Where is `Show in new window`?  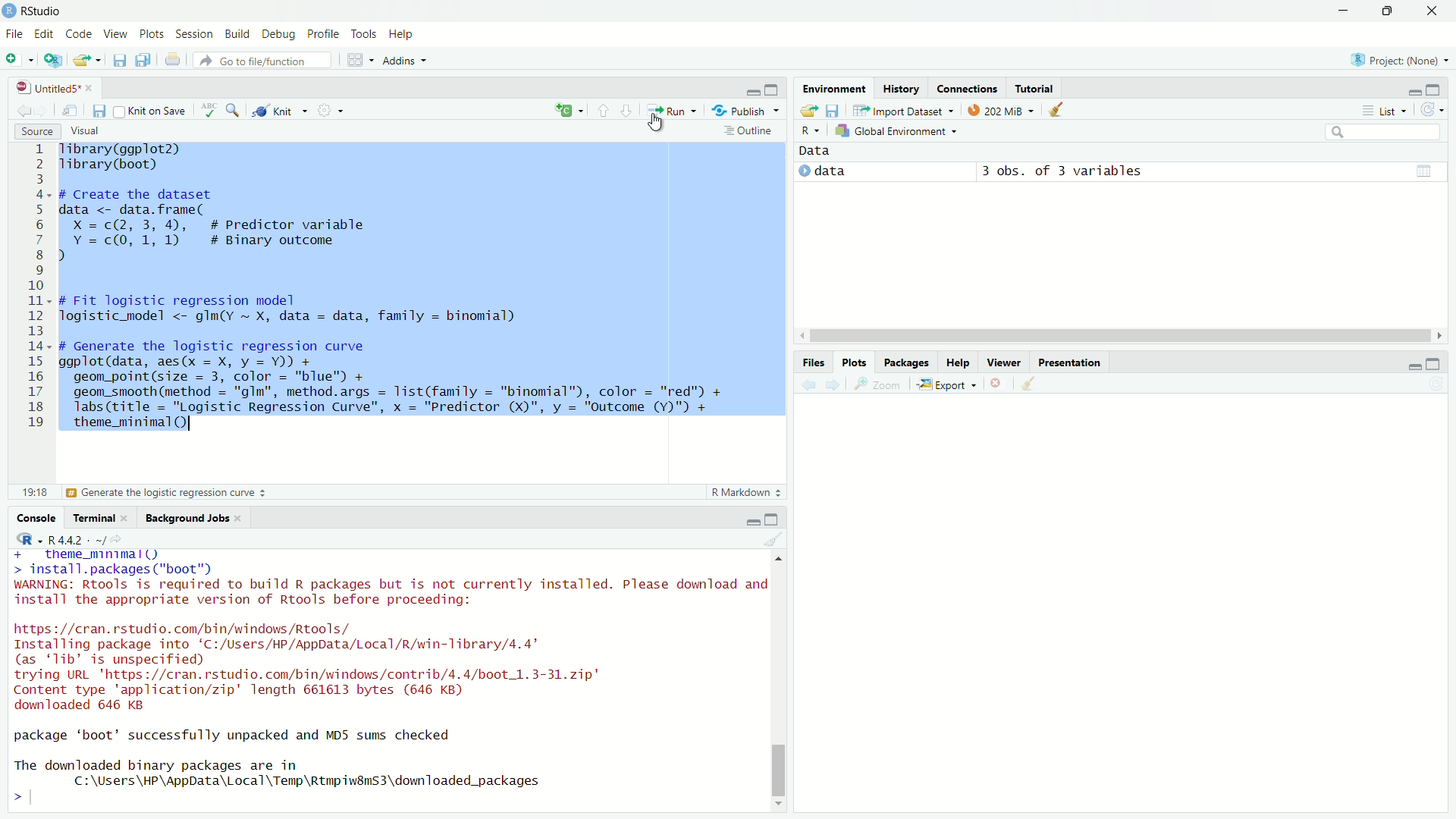
Show in new window is located at coordinates (70, 111).